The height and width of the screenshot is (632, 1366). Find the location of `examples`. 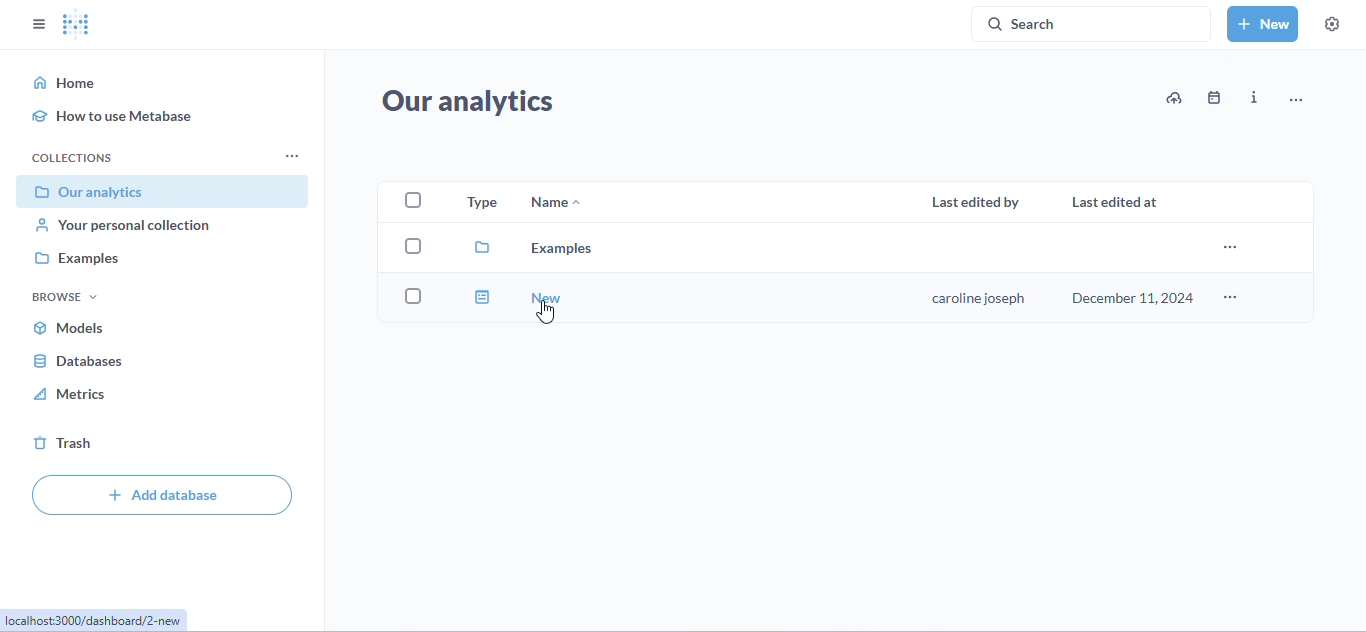

examples is located at coordinates (75, 258).